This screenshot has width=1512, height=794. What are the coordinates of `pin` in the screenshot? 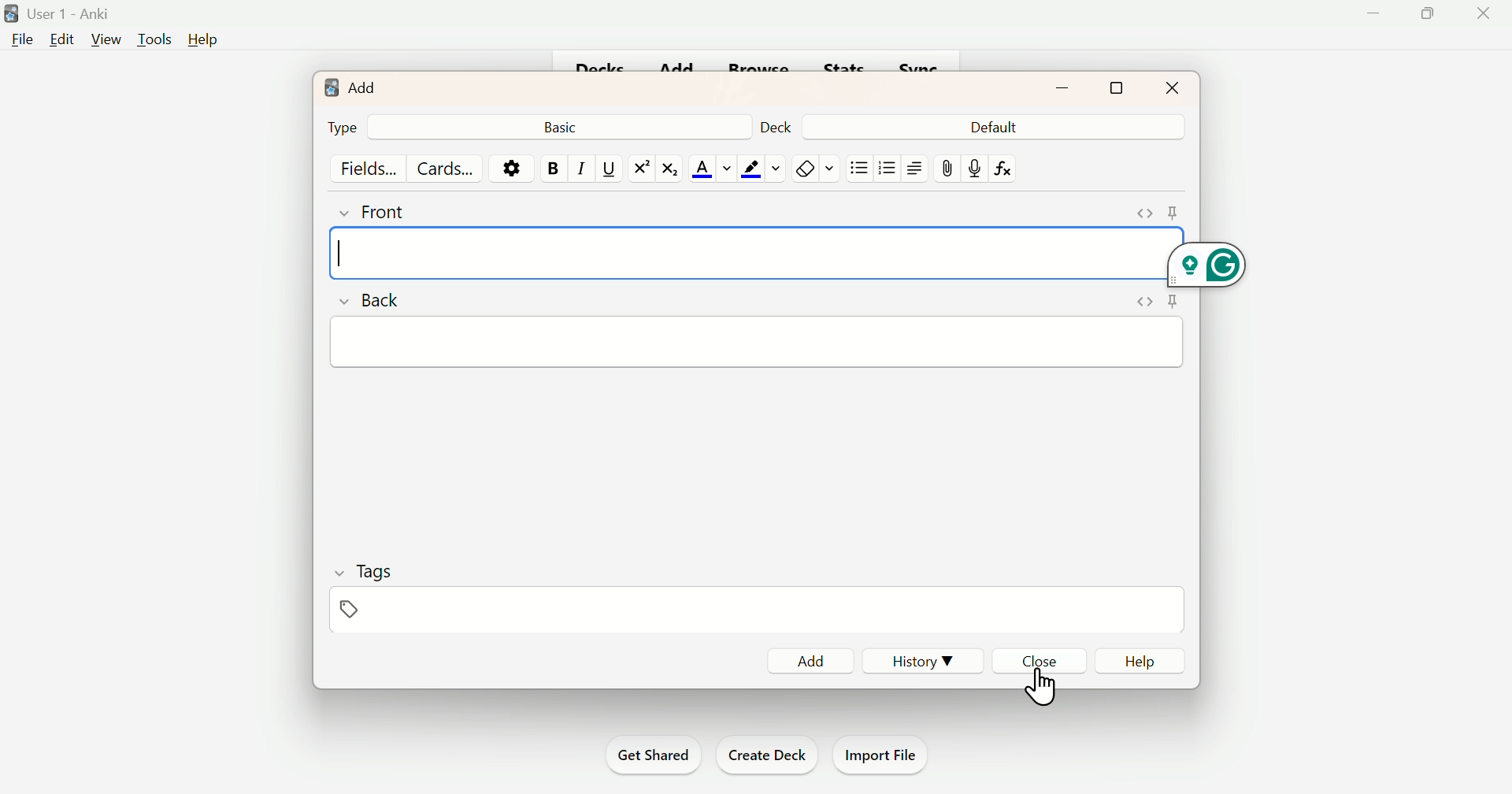 It's located at (944, 167).